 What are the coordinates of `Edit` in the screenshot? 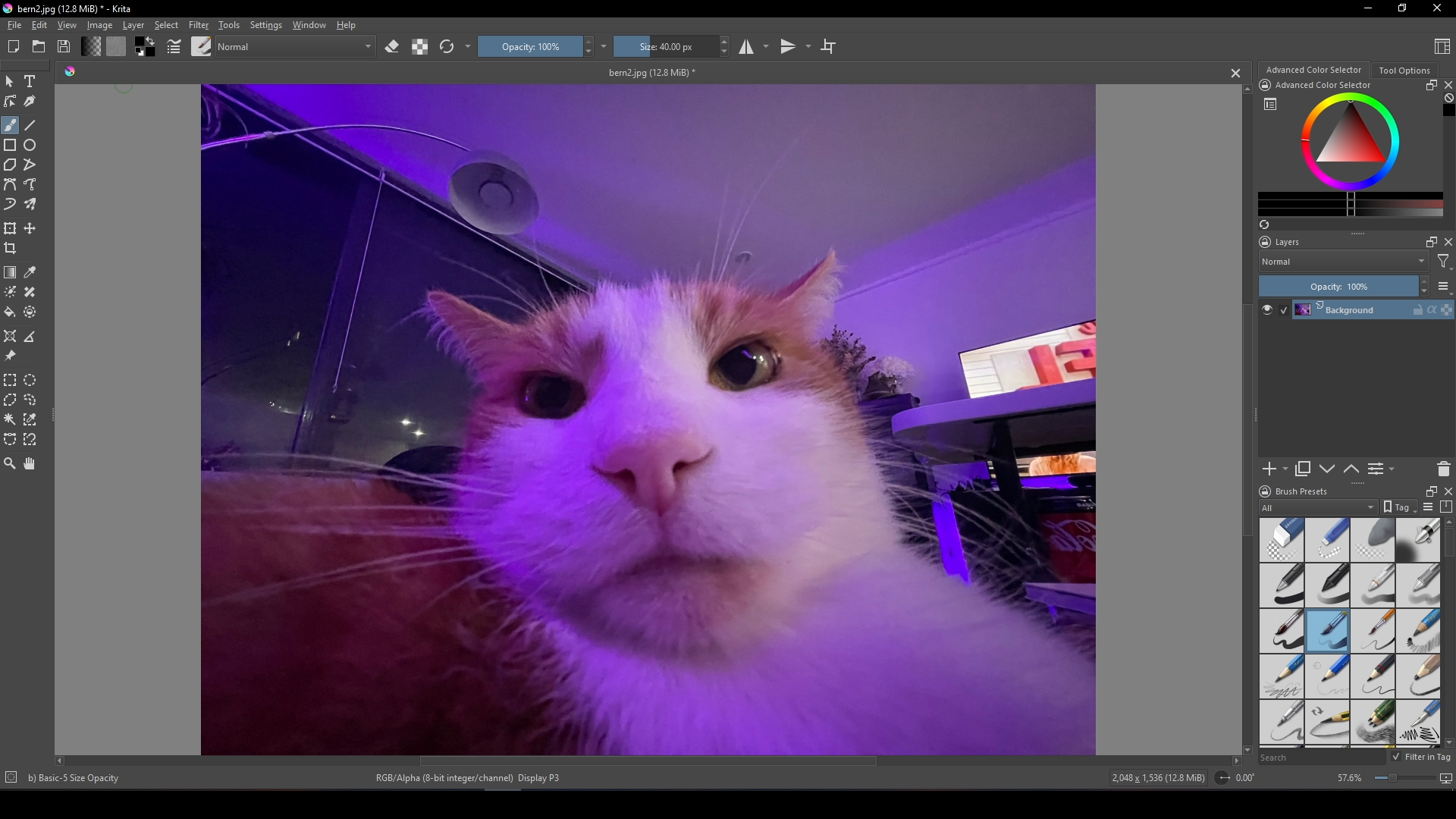 It's located at (39, 26).